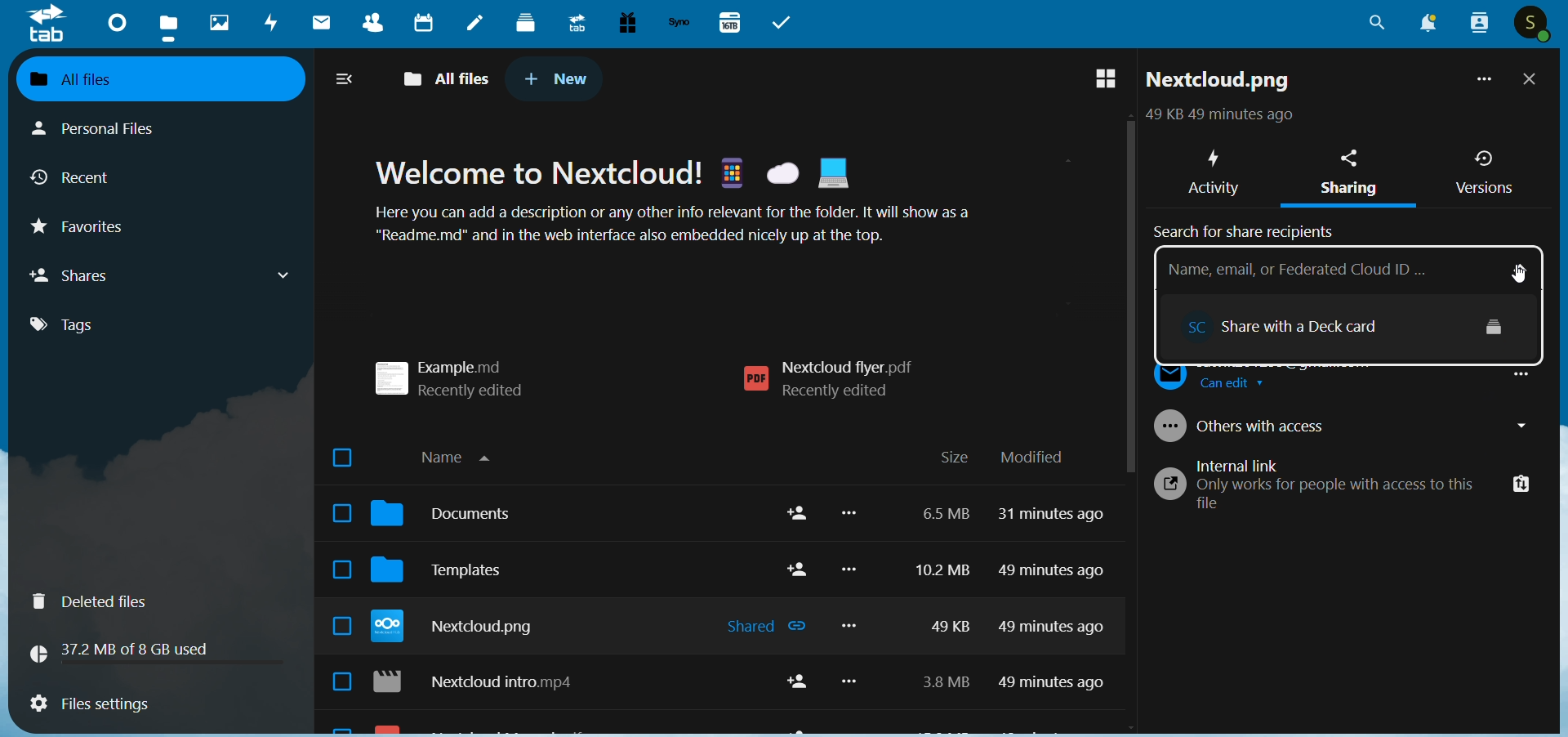  What do you see at coordinates (1481, 83) in the screenshot?
I see `more` at bounding box center [1481, 83].